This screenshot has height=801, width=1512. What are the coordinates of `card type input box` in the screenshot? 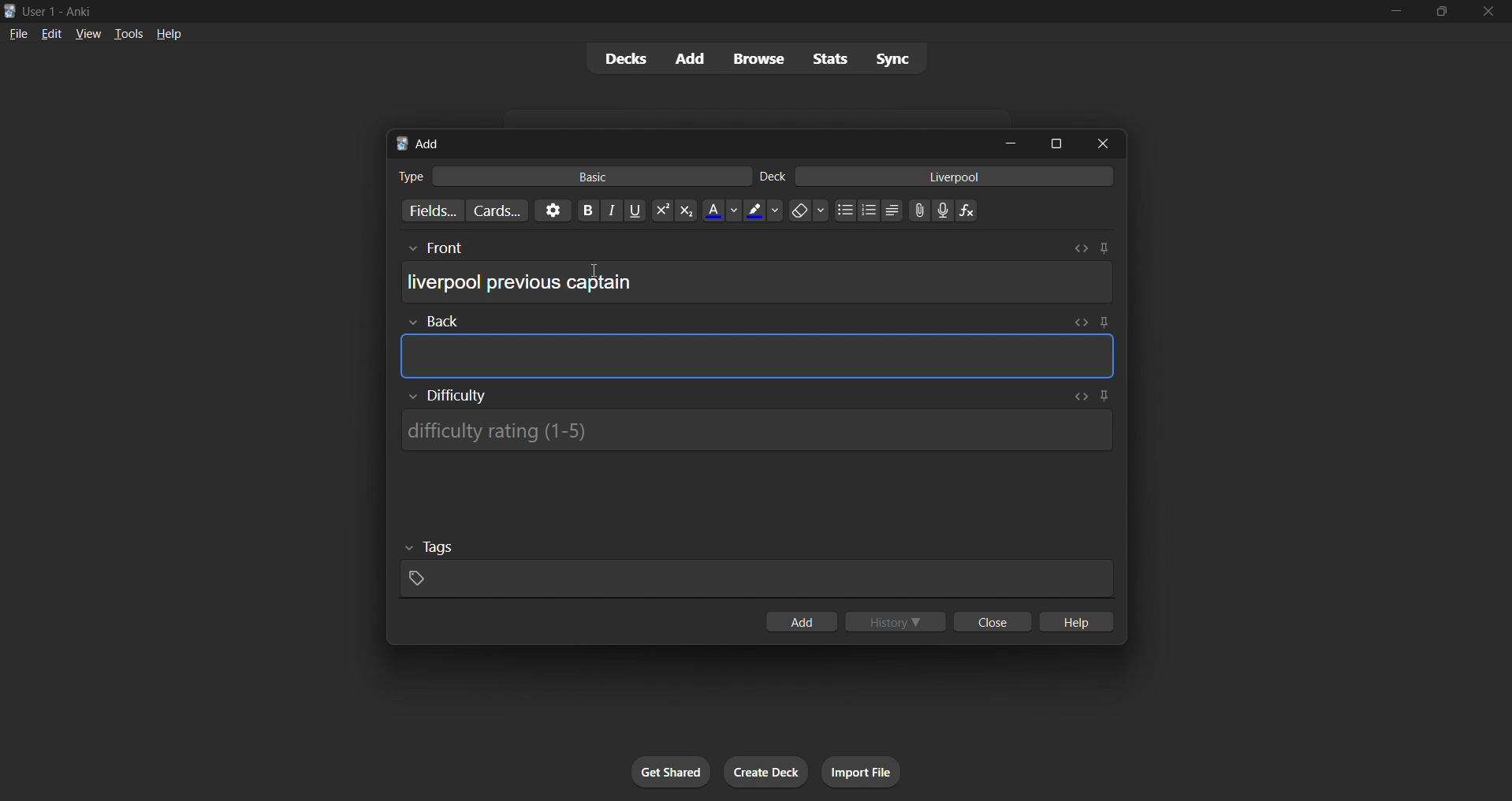 It's located at (565, 173).